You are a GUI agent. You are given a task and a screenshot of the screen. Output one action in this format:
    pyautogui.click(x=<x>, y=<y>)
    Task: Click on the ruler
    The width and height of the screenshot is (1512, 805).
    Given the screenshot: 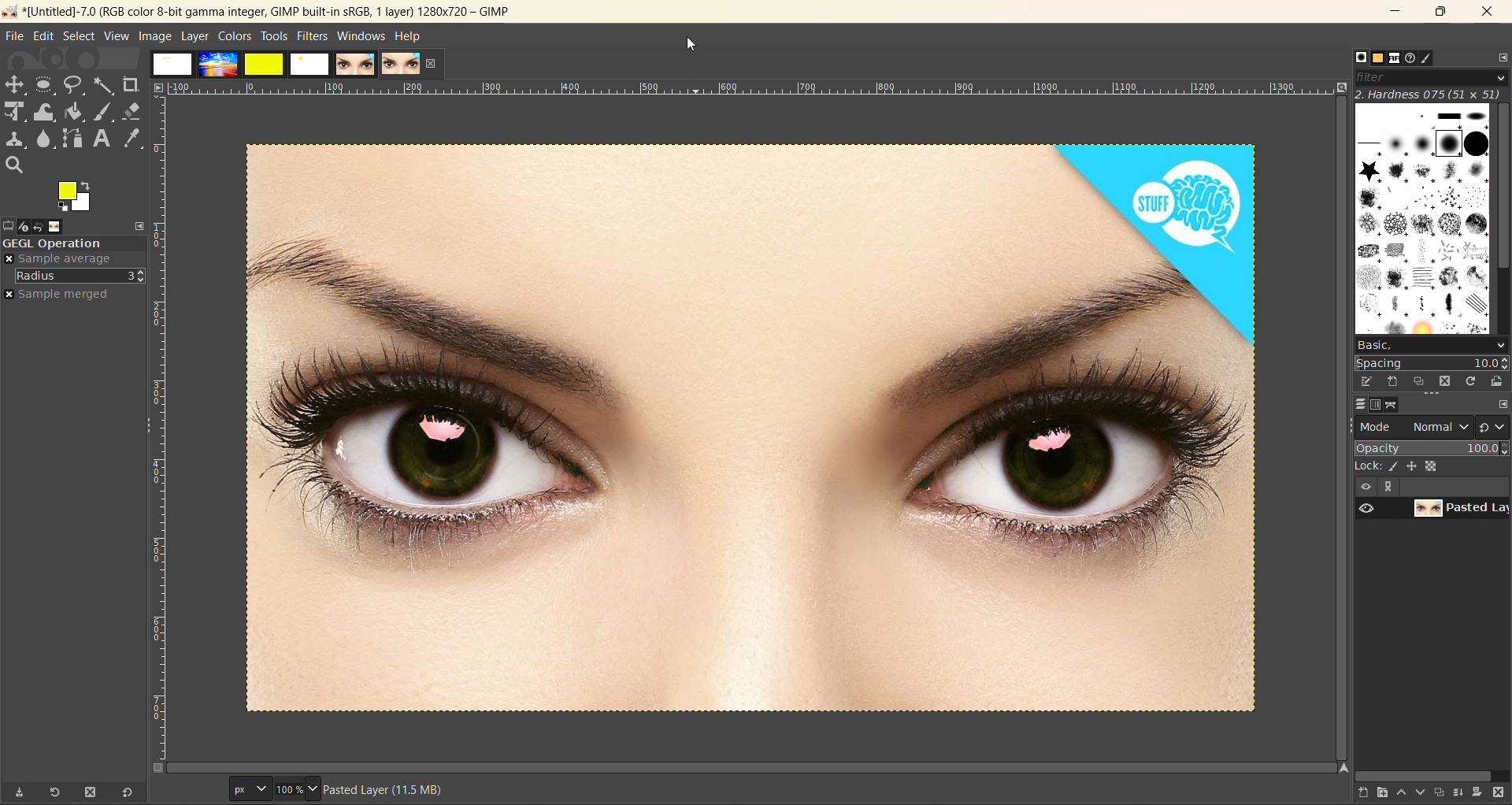 What is the action you would take?
    pyautogui.click(x=163, y=427)
    